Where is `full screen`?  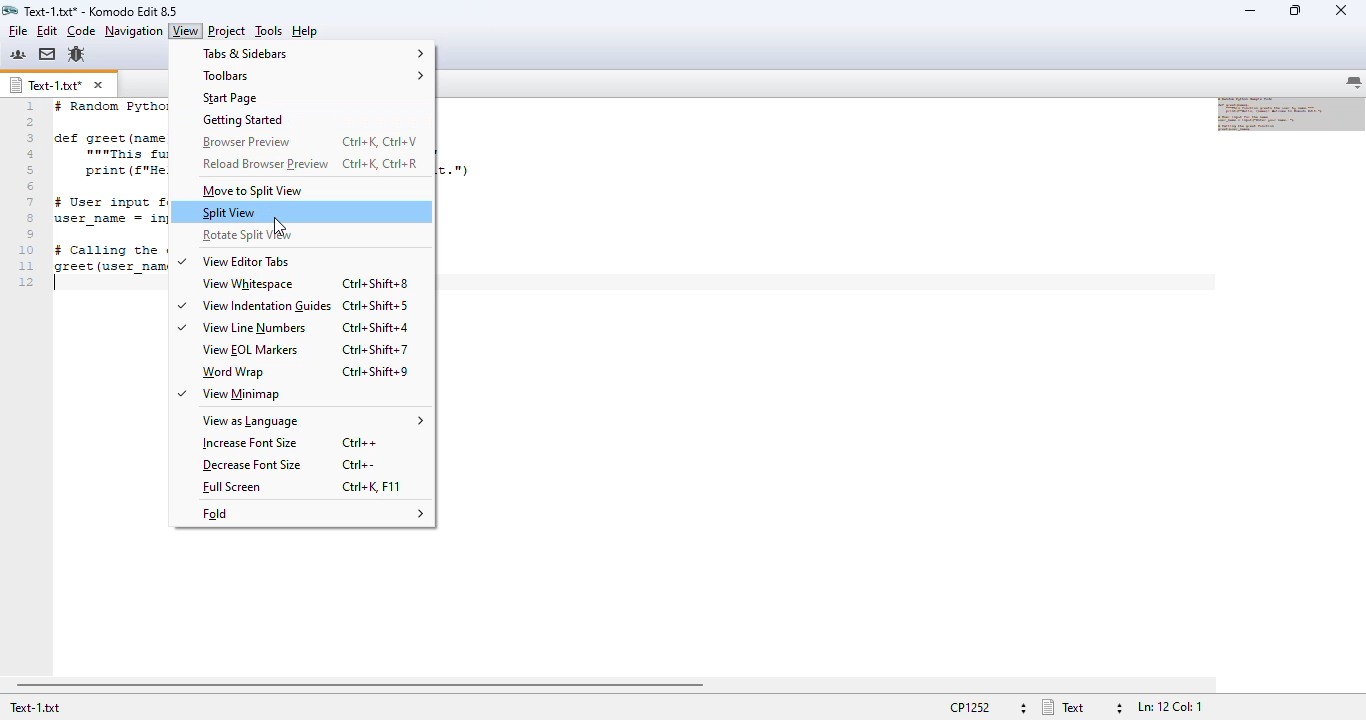 full screen is located at coordinates (231, 487).